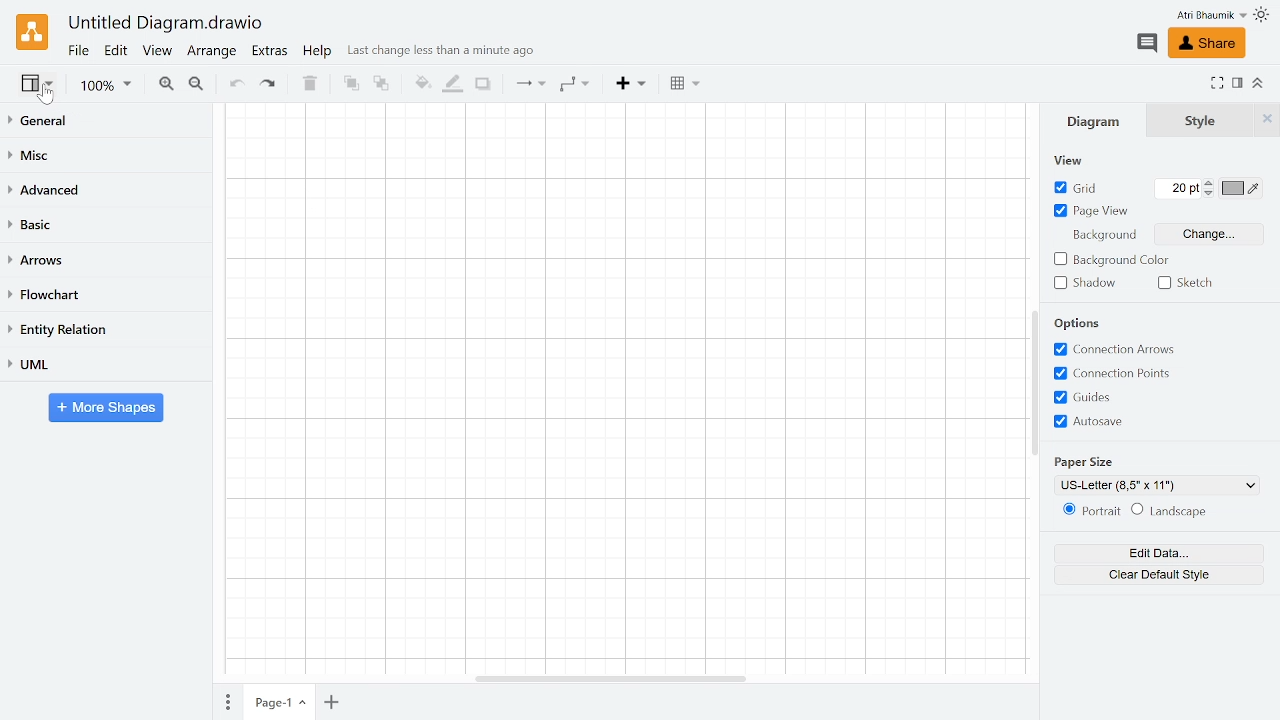 Image resolution: width=1280 pixels, height=720 pixels. Describe the element at coordinates (1148, 44) in the screenshot. I see `Comment` at that location.